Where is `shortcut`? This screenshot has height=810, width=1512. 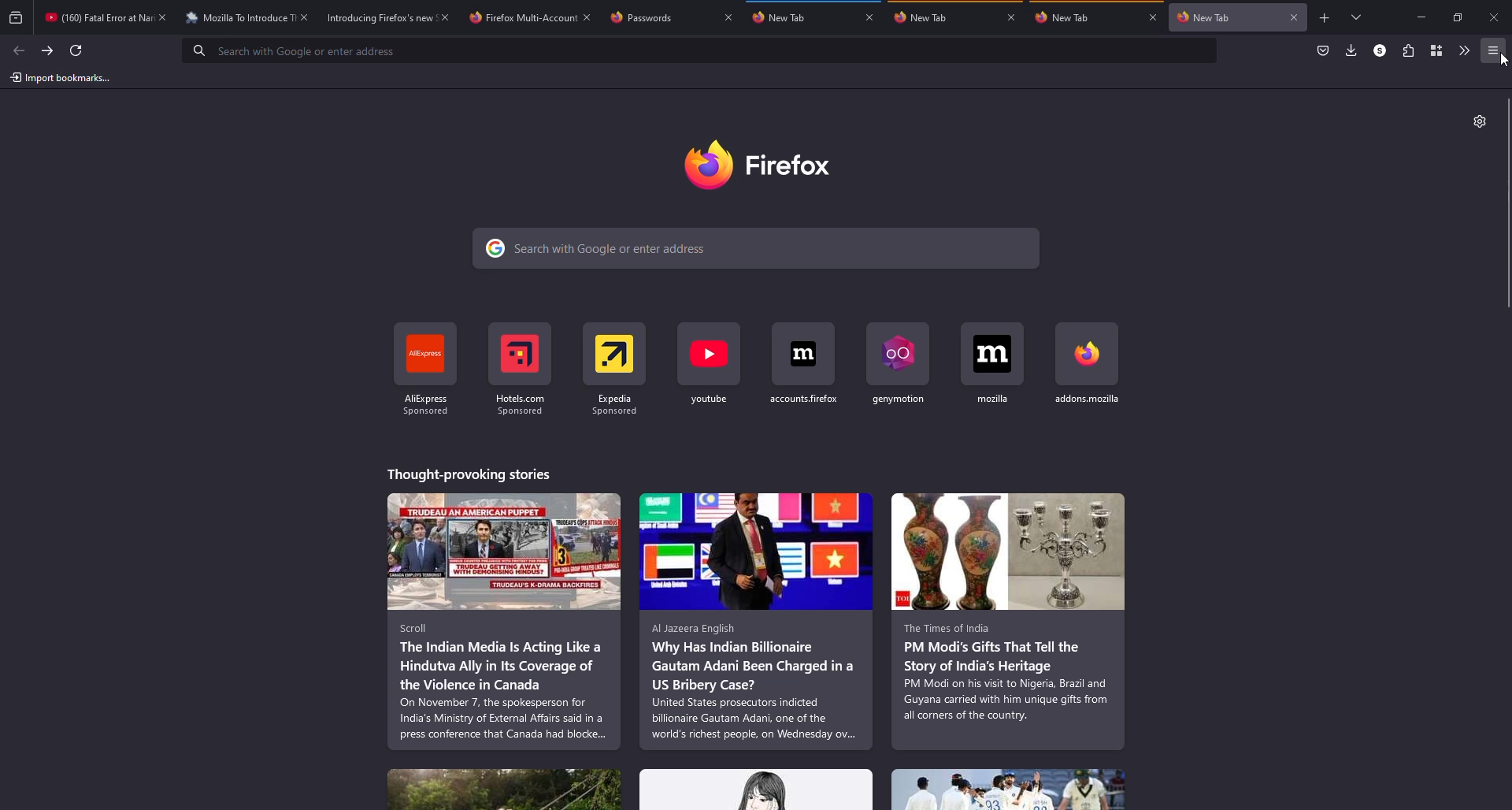 shortcut is located at coordinates (898, 366).